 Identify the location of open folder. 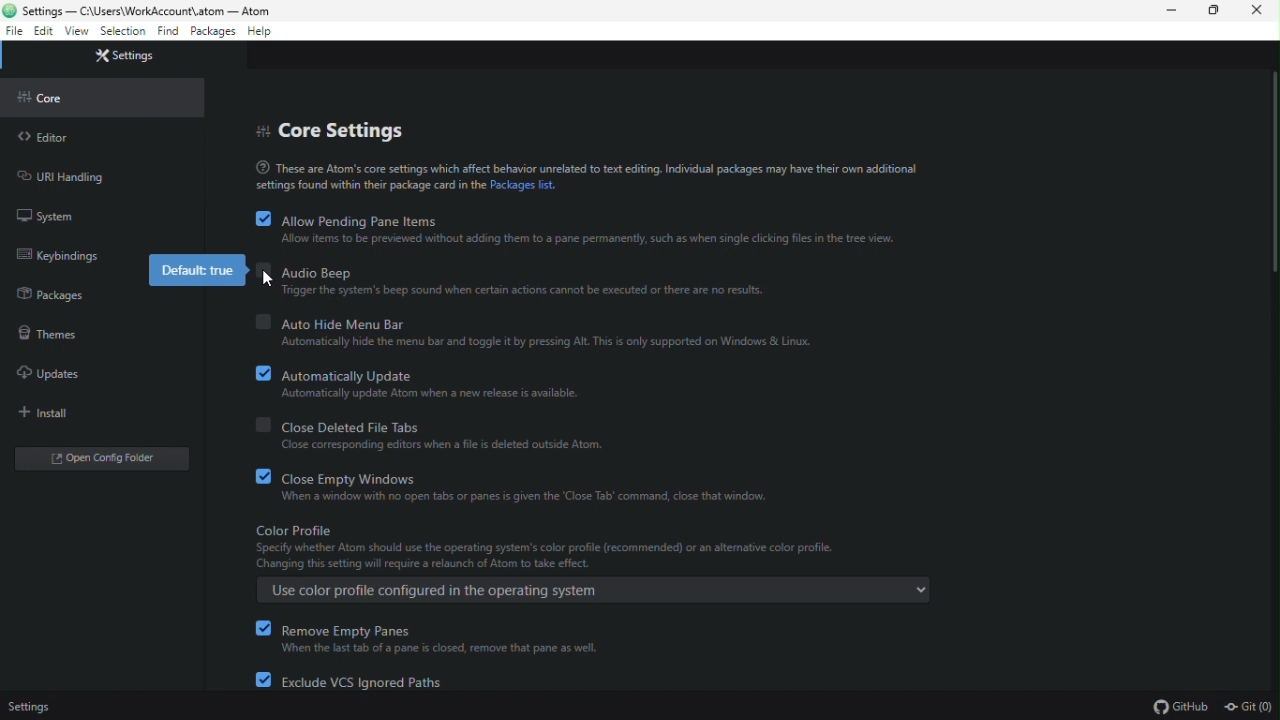
(106, 460).